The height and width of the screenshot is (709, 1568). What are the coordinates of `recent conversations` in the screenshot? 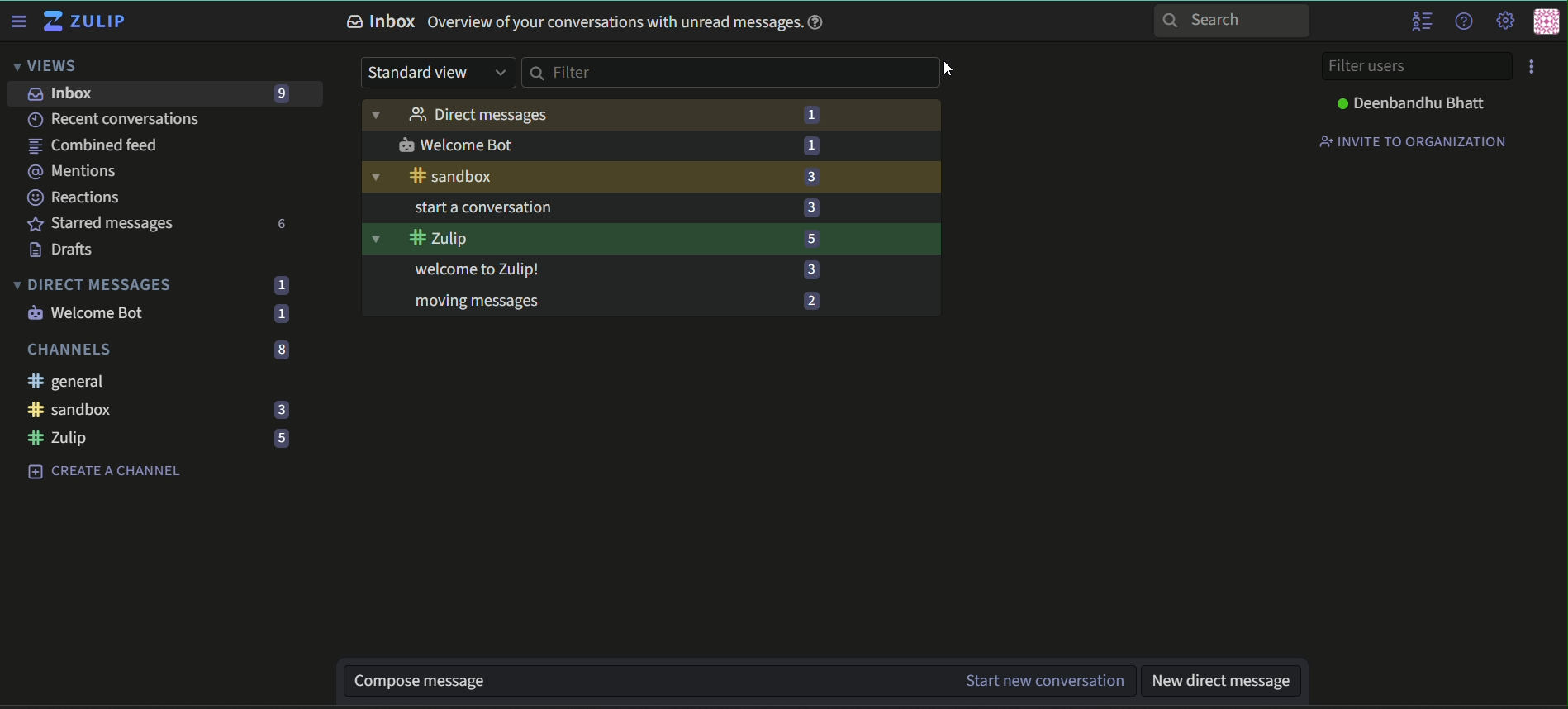 It's located at (115, 120).